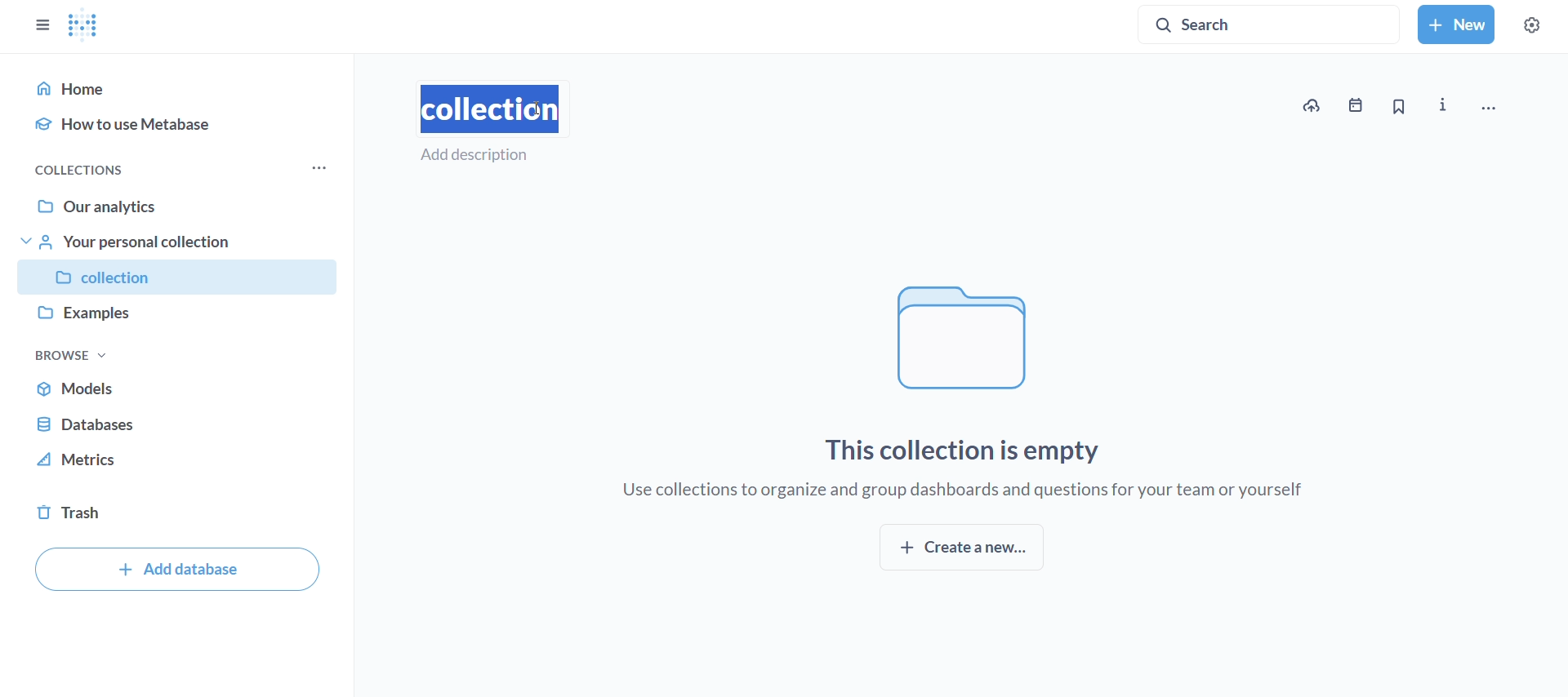  What do you see at coordinates (36, 21) in the screenshot?
I see `close sidebar` at bounding box center [36, 21].